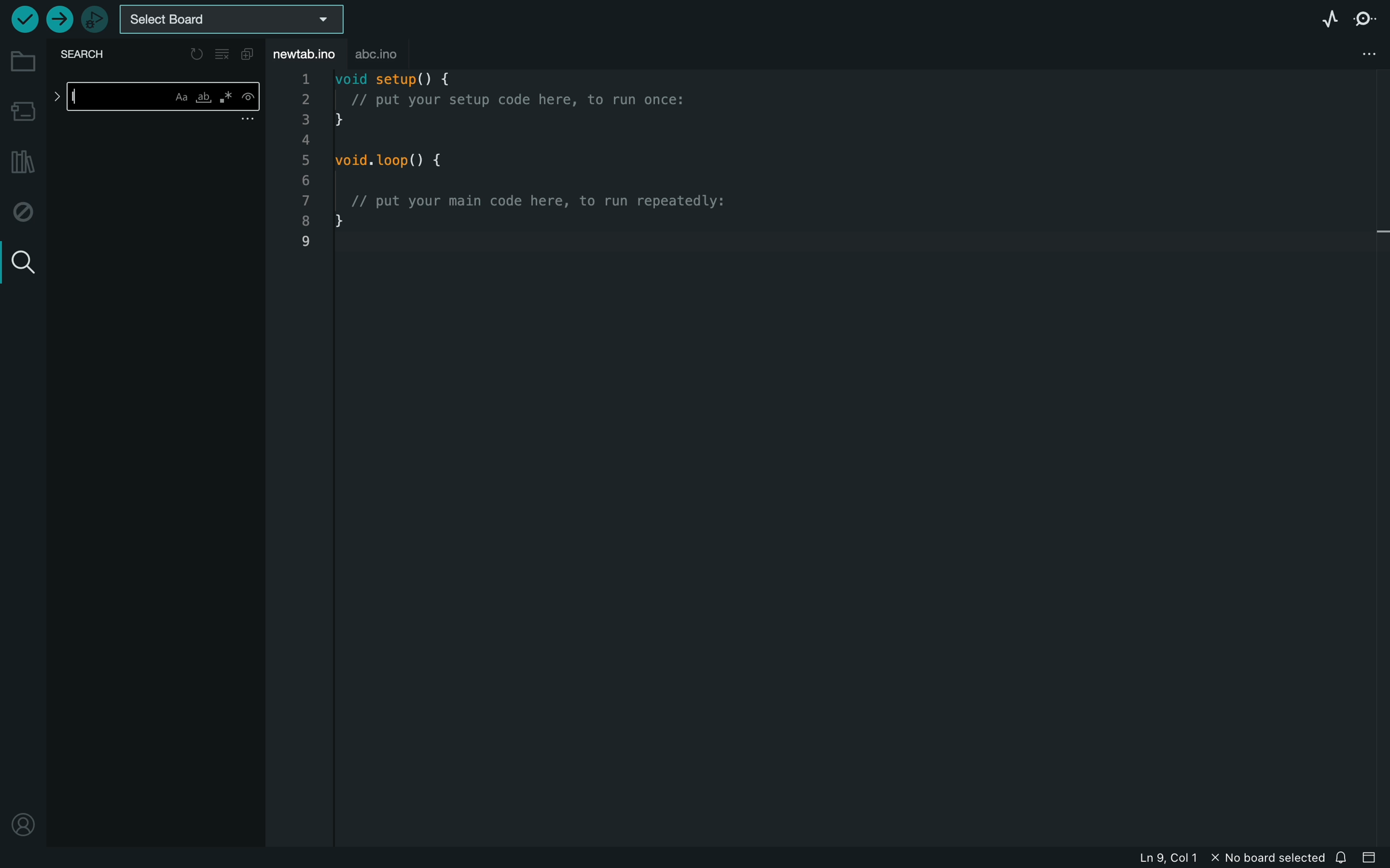  I want to click on notification, so click(1342, 858).